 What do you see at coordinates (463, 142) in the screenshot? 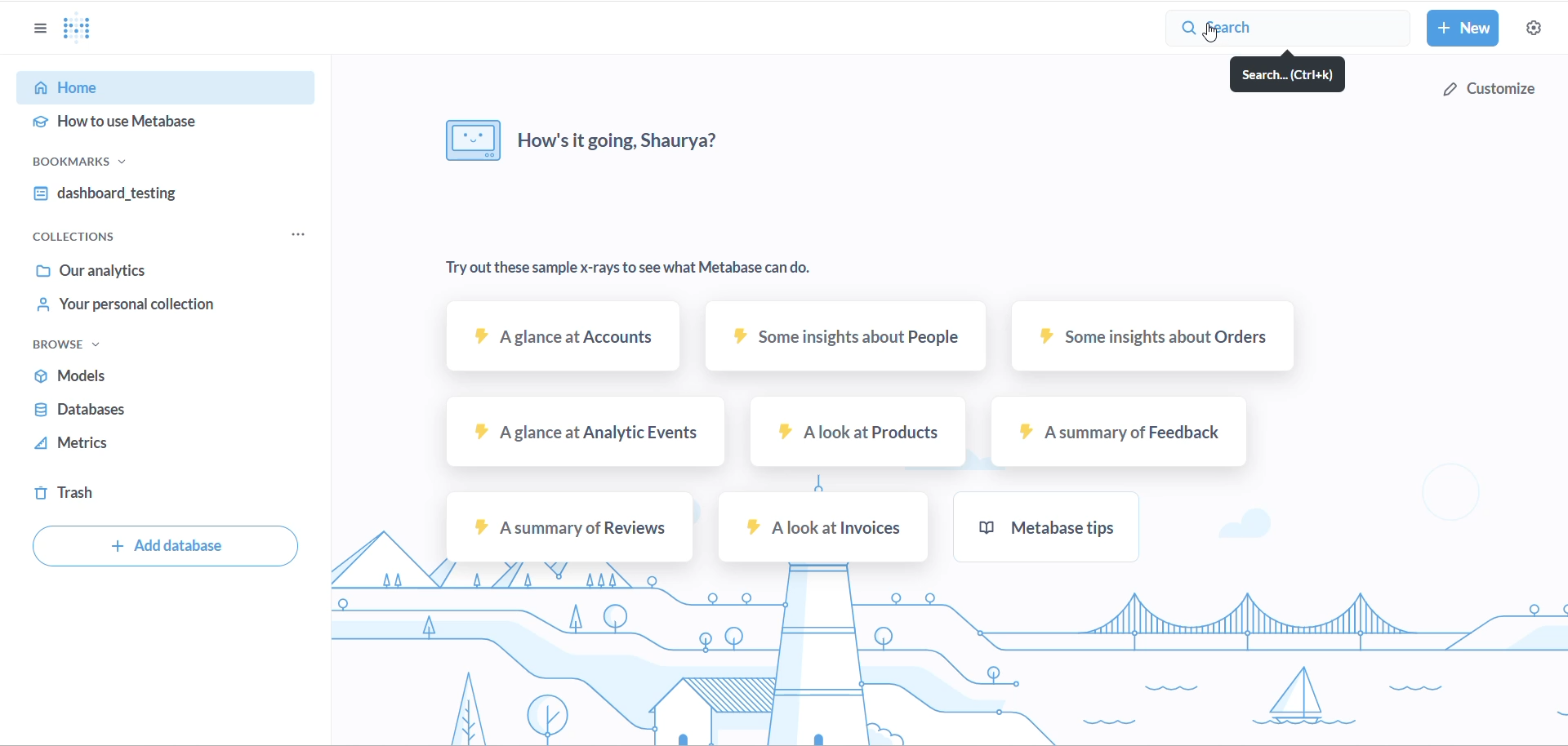
I see `icon` at bounding box center [463, 142].